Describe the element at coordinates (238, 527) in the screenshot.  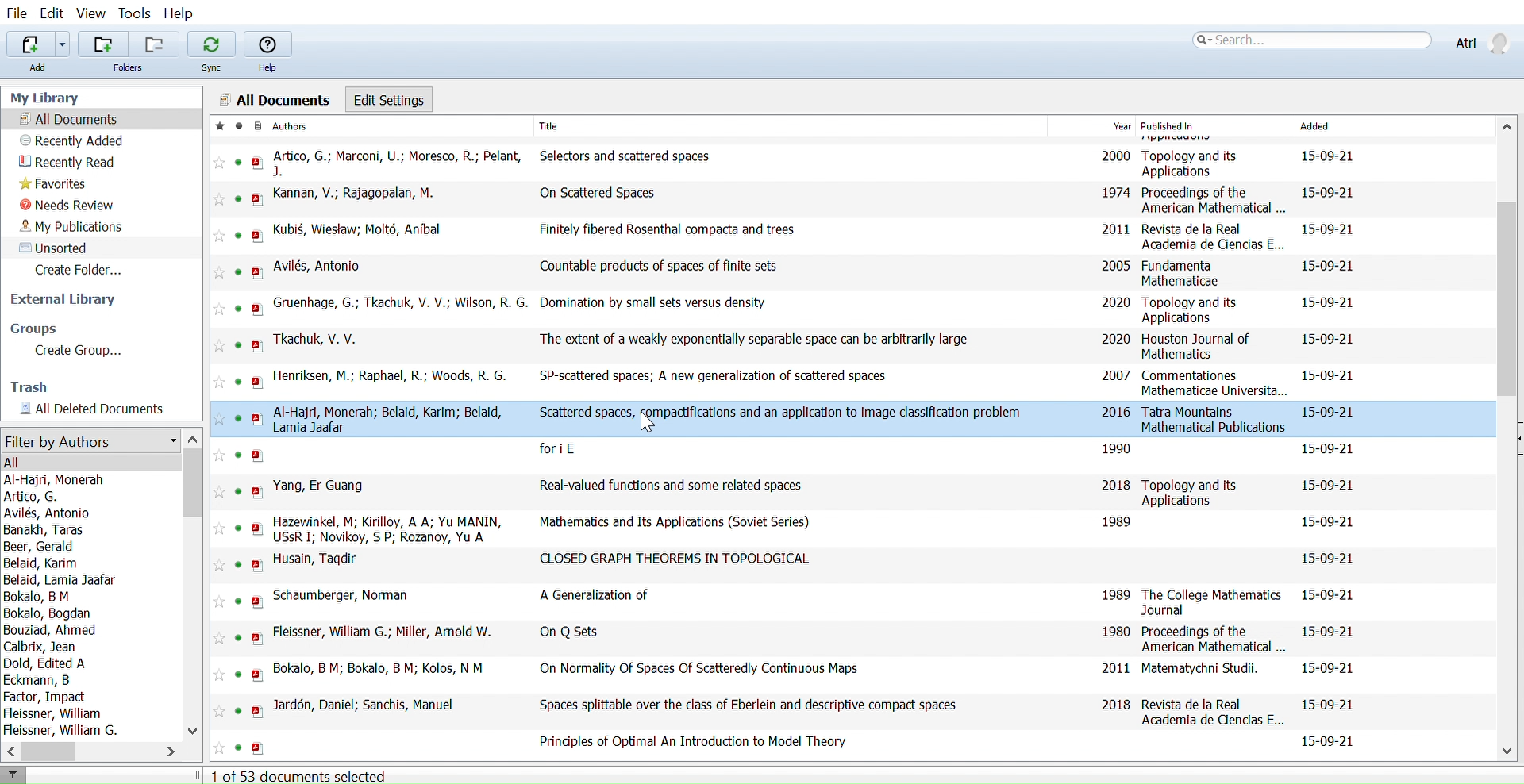
I see `Reasing status` at that location.